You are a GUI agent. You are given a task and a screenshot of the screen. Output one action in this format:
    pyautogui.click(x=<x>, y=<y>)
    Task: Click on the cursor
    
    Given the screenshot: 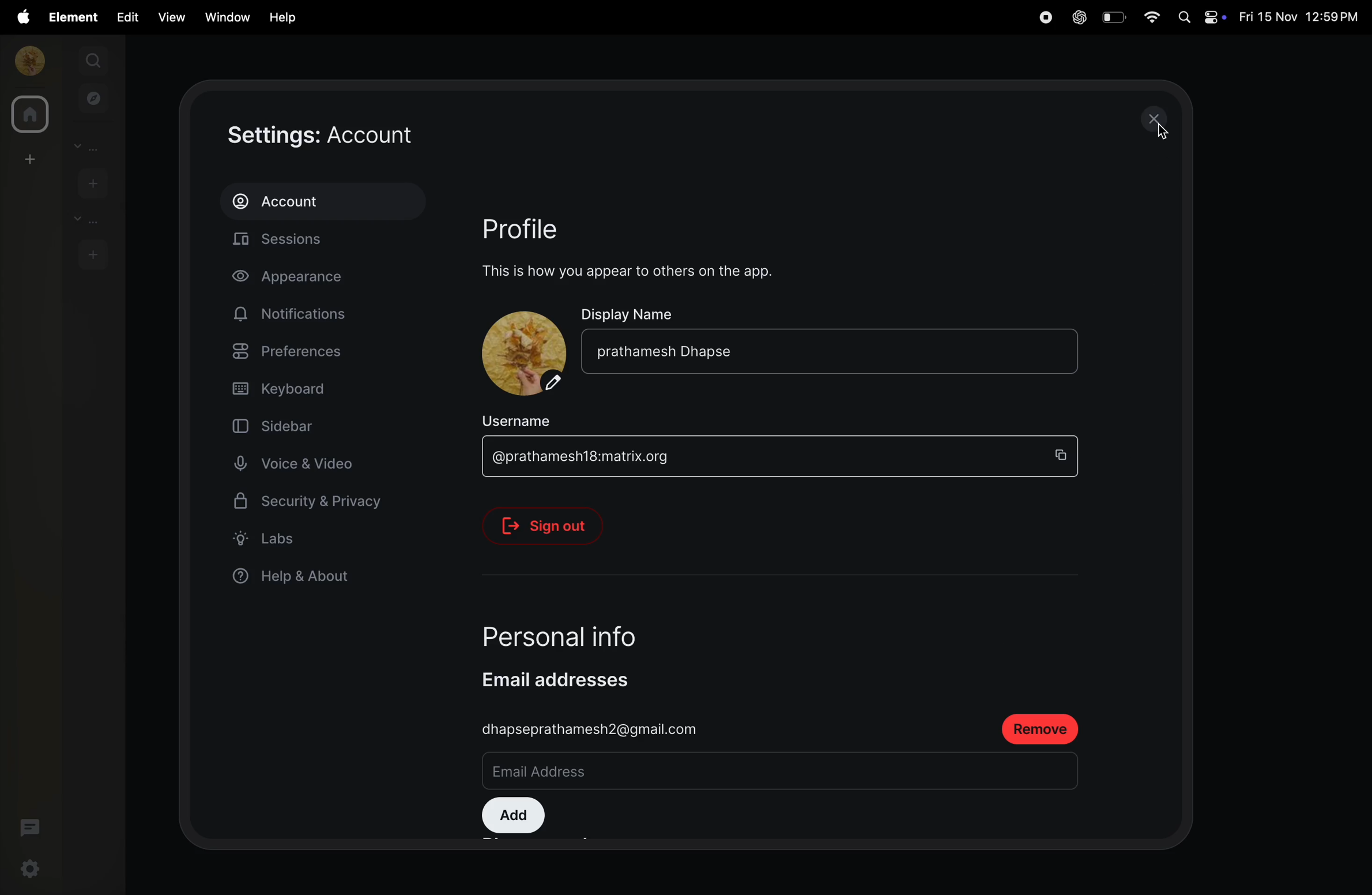 What is the action you would take?
    pyautogui.click(x=1165, y=130)
    